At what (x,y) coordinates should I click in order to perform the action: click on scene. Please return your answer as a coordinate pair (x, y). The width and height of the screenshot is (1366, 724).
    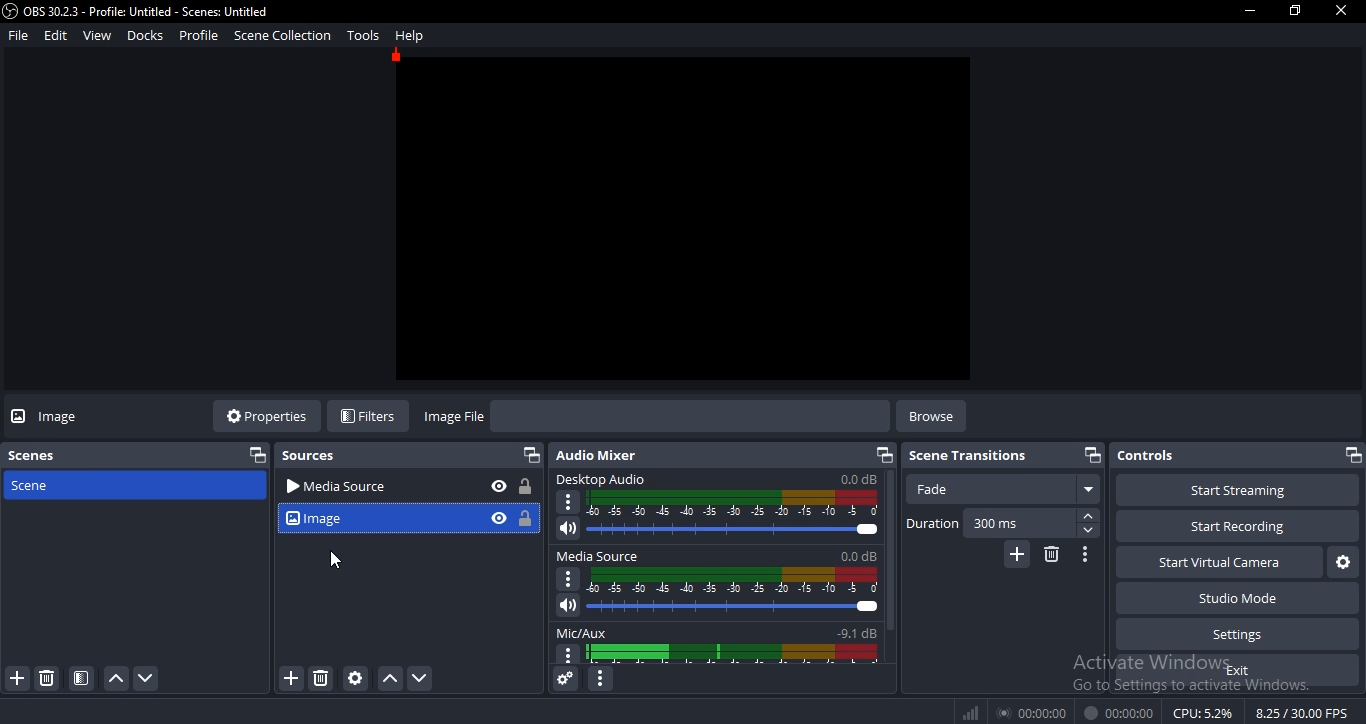
    Looking at the image, I should click on (32, 486).